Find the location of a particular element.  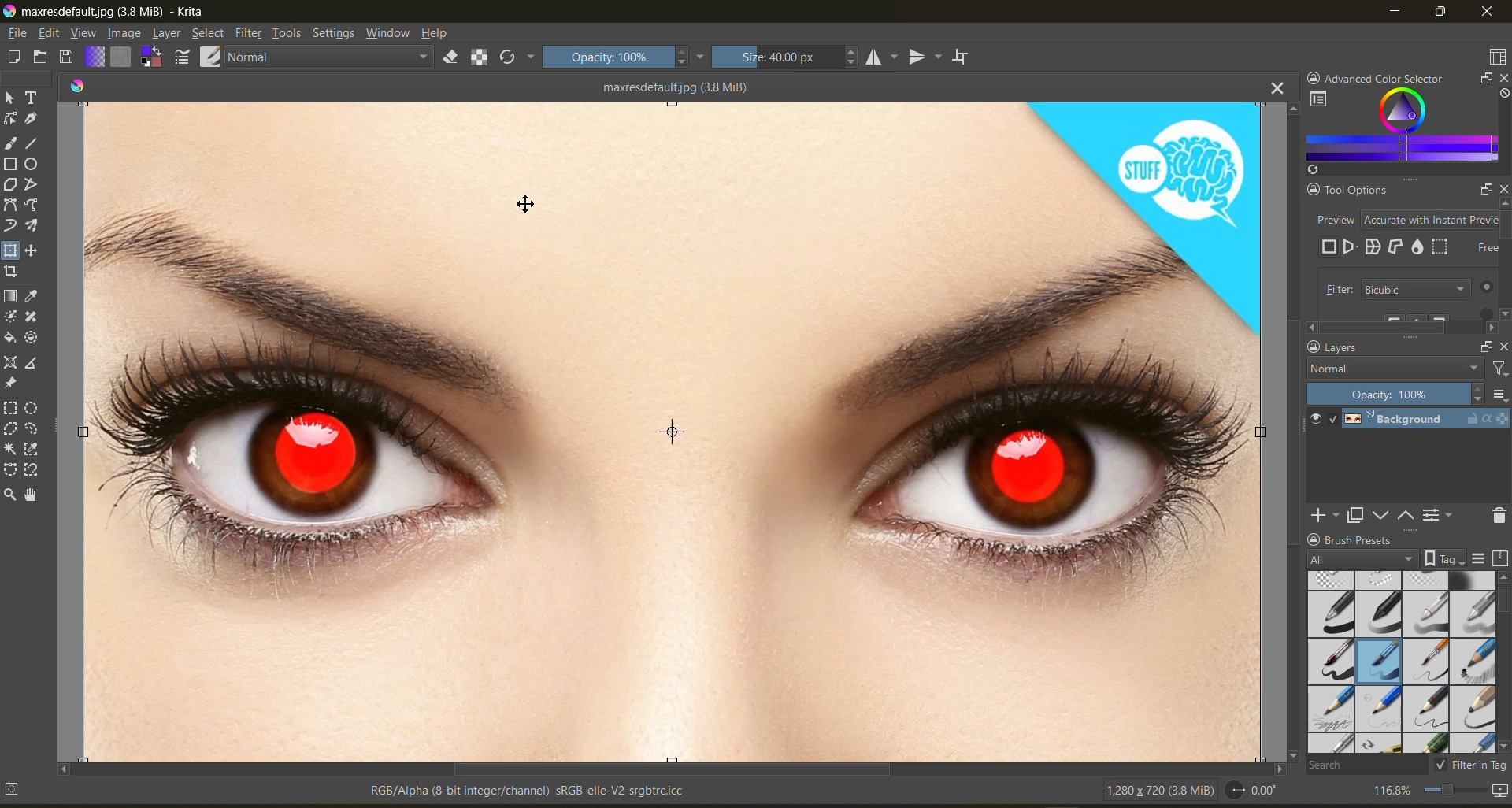

Scroll bar is located at coordinates (1401, 325).